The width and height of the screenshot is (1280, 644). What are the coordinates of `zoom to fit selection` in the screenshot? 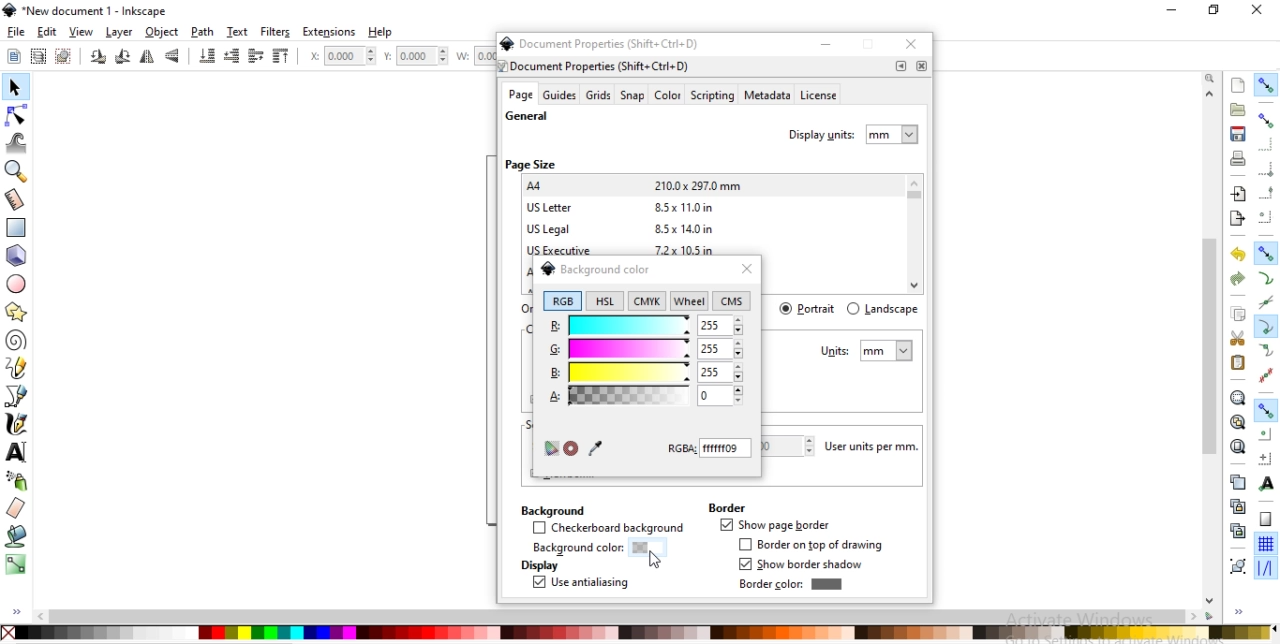 It's located at (1237, 398).